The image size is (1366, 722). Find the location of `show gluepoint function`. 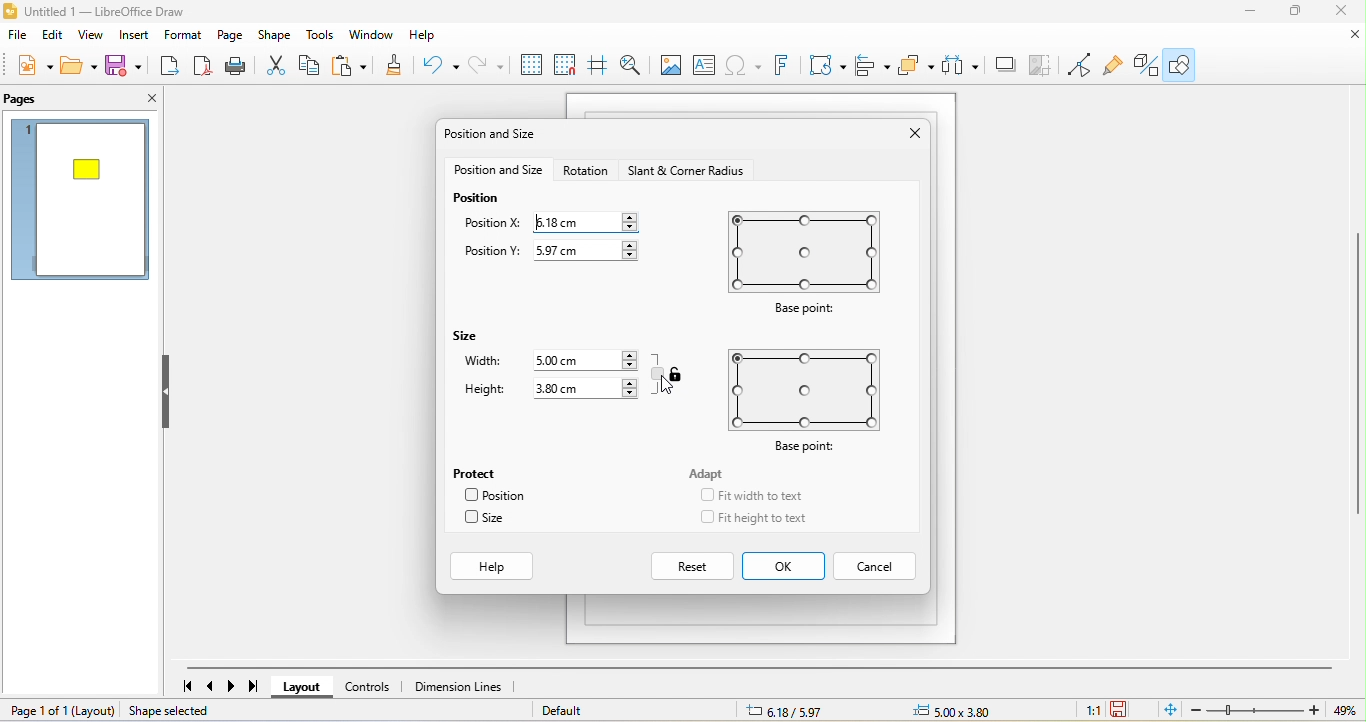

show gluepoint function is located at coordinates (1114, 64).